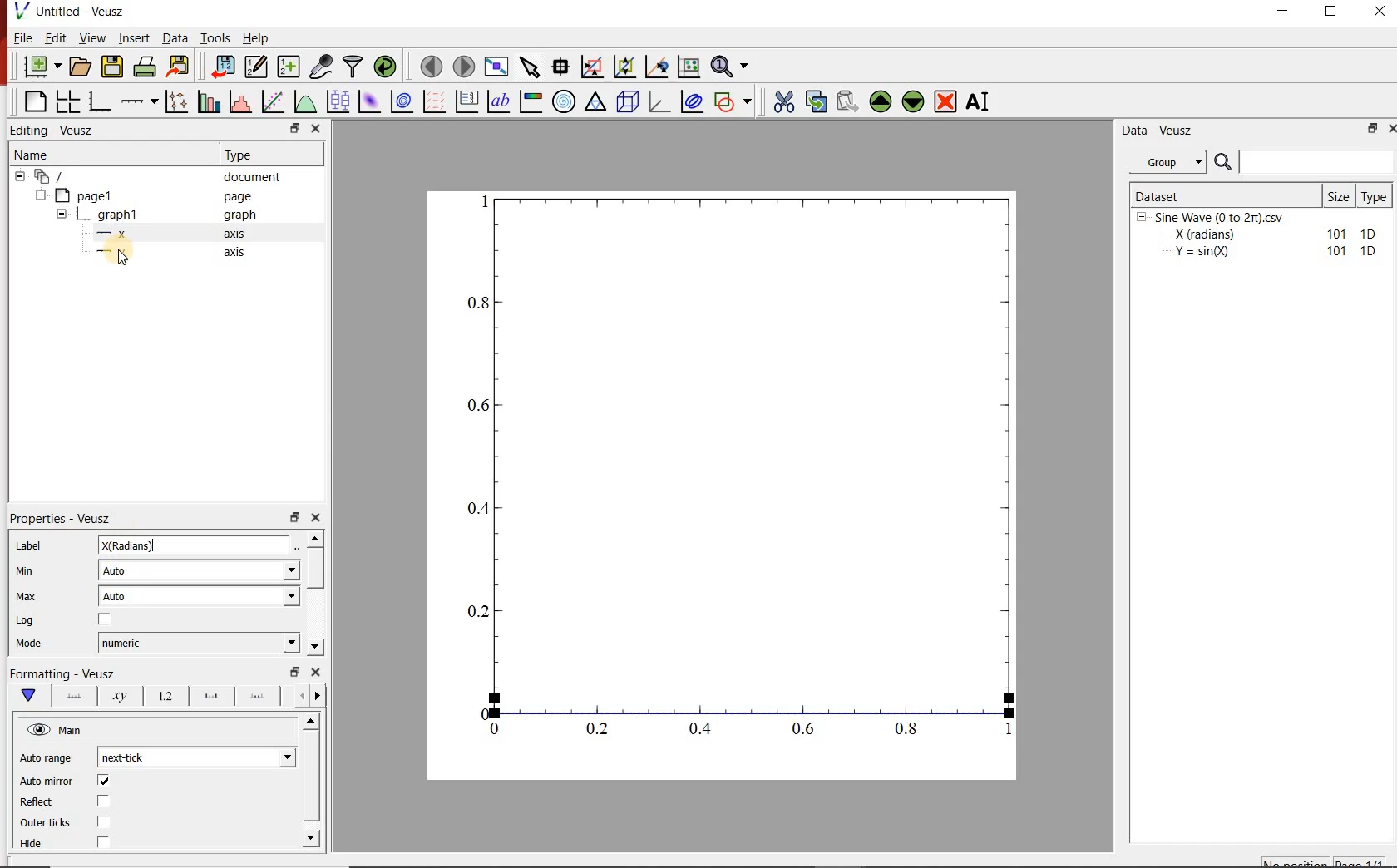 The image size is (1397, 868). Describe the element at coordinates (180, 66) in the screenshot. I see `export to graphics` at that location.